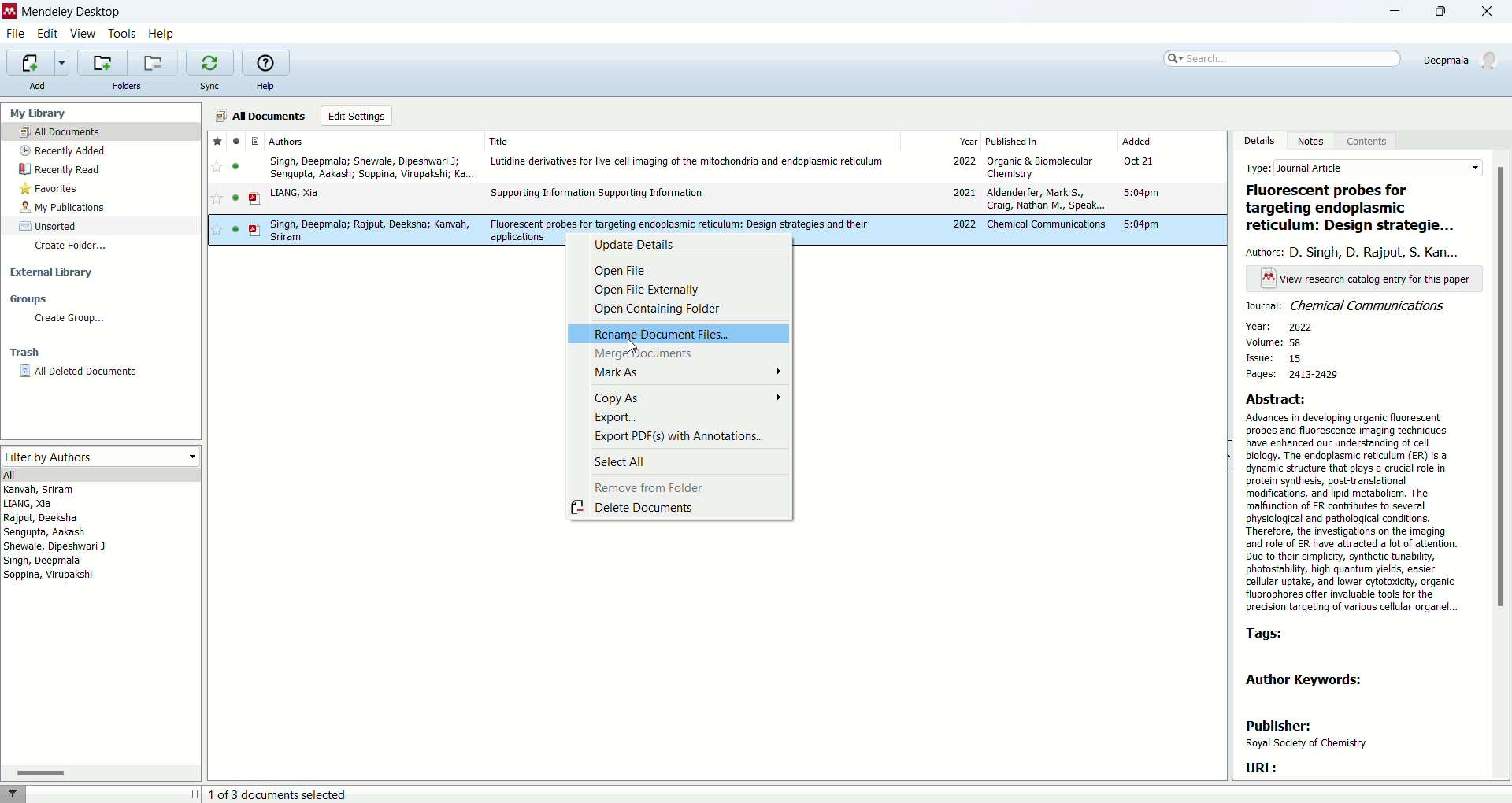 Image resolution: width=1512 pixels, height=803 pixels. I want to click on favorite, so click(219, 231).